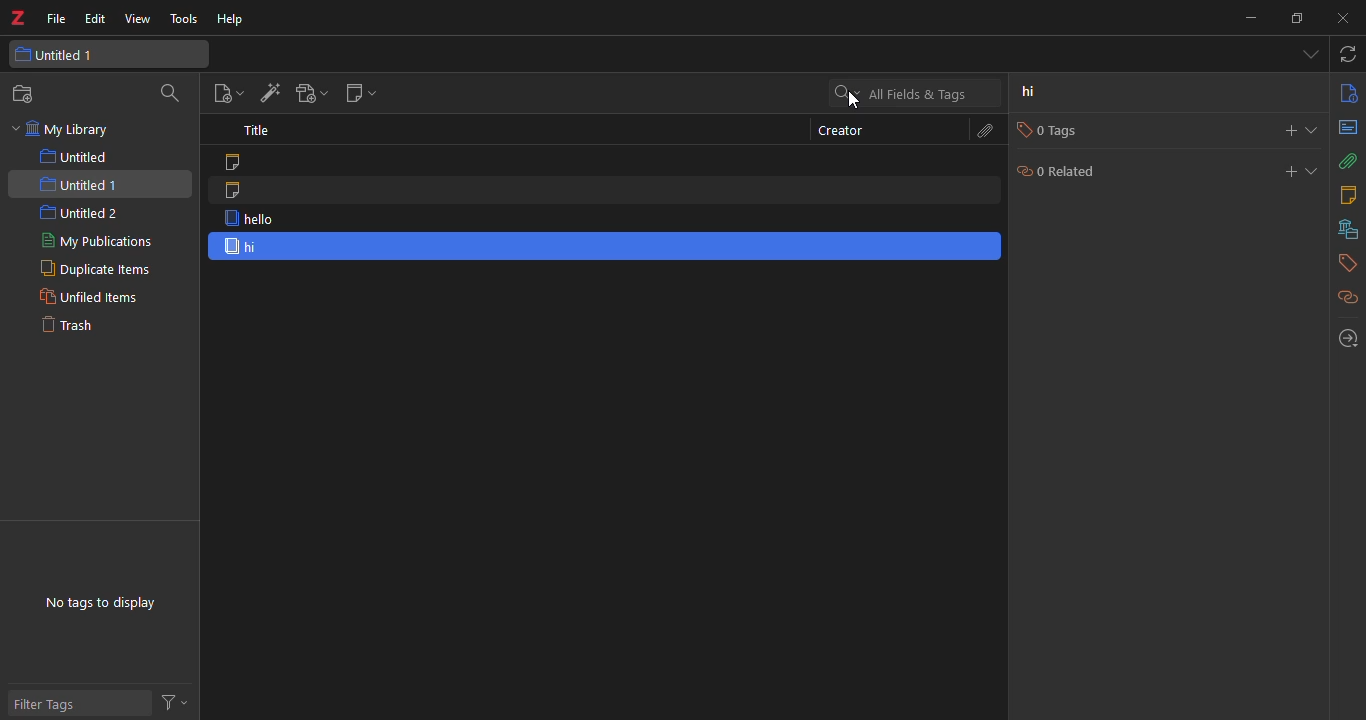 The height and width of the screenshot is (720, 1366). What do you see at coordinates (1347, 95) in the screenshot?
I see `info` at bounding box center [1347, 95].